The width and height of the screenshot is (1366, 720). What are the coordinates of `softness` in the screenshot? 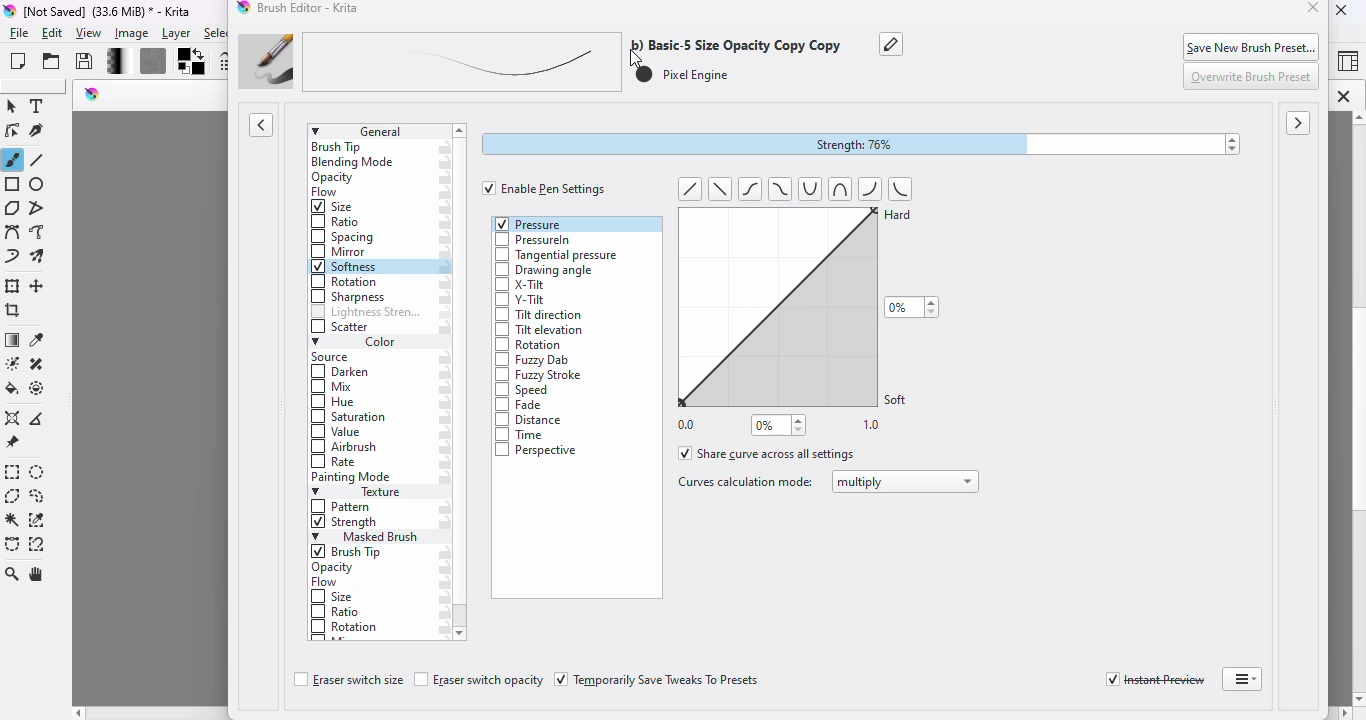 It's located at (345, 267).